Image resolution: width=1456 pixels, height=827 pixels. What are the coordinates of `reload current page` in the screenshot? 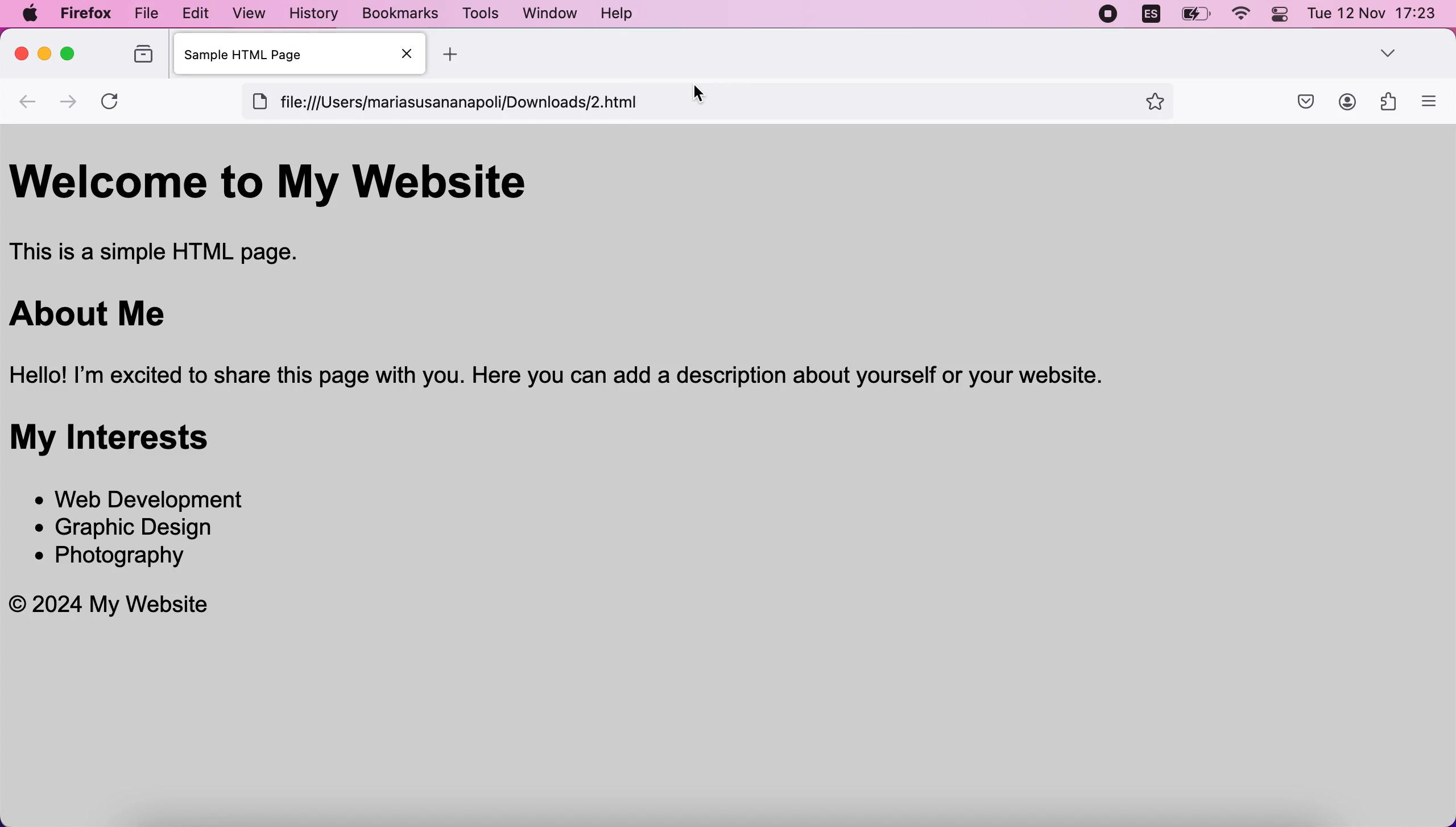 It's located at (119, 102).